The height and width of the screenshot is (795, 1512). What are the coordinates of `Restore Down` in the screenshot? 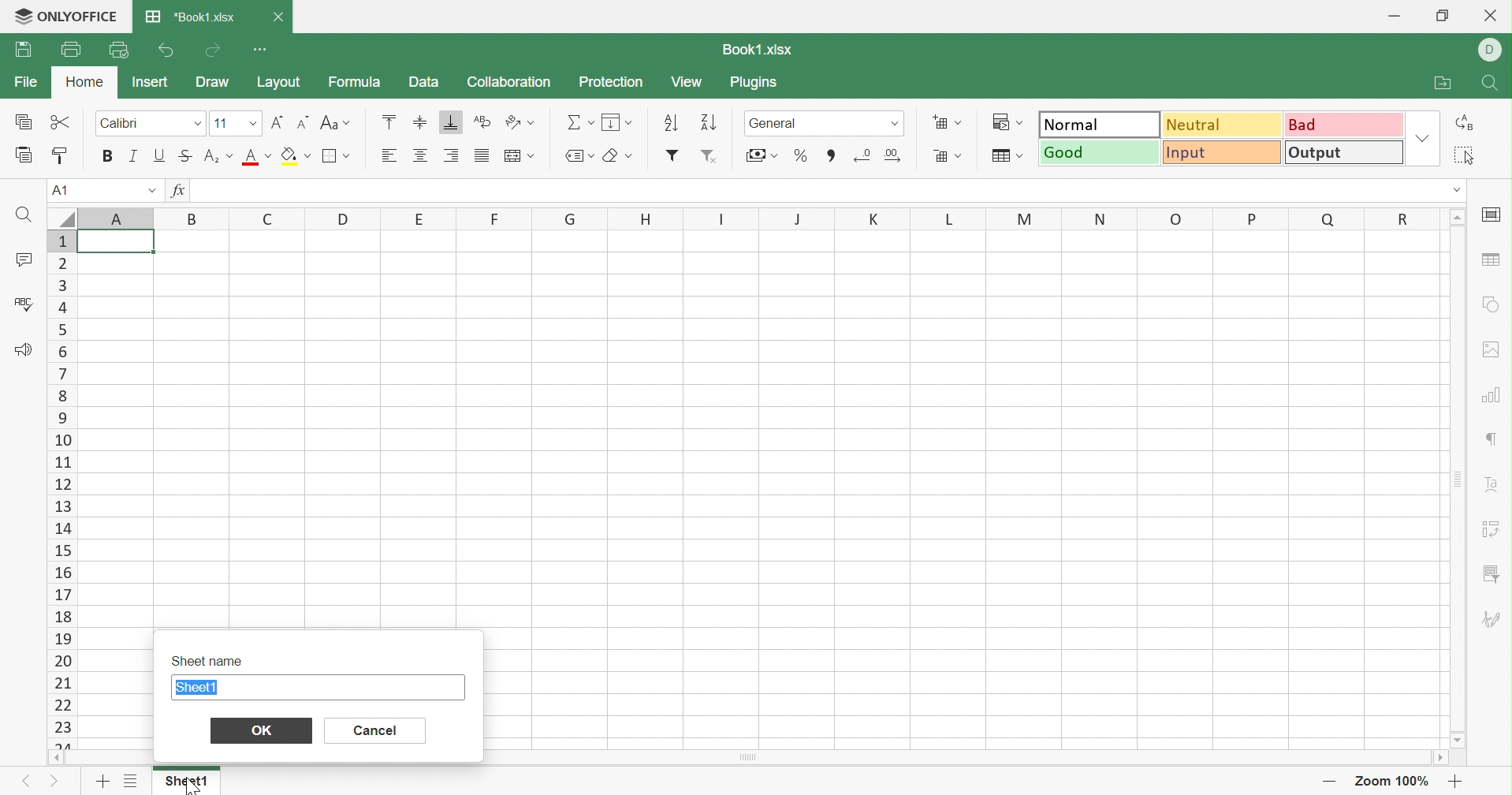 It's located at (1439, 15).